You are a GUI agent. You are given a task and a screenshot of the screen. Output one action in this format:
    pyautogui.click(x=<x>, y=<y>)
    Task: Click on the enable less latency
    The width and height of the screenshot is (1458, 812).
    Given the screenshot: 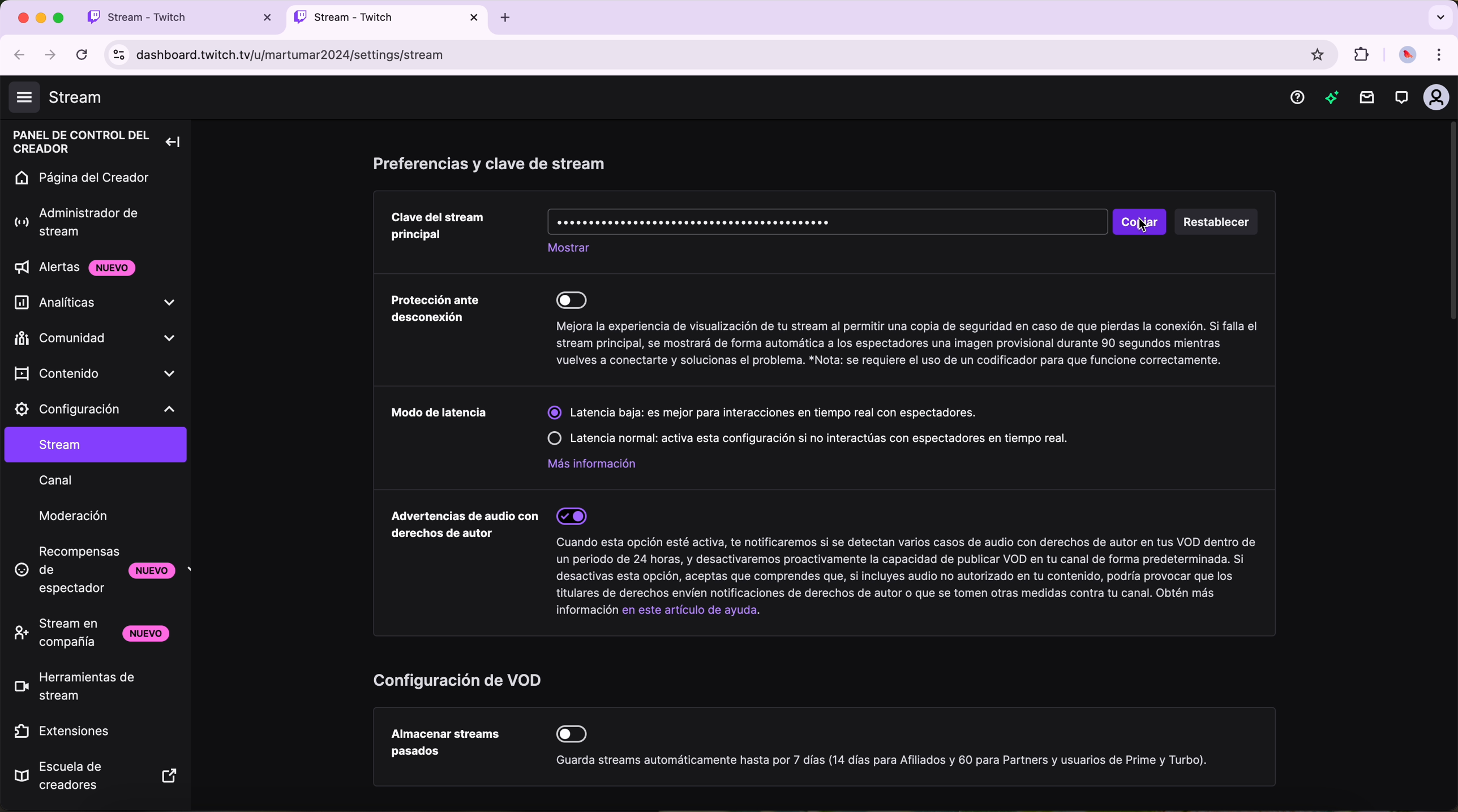 What is the action you would take?
    pyautogui.click(x=757, y=411)
    